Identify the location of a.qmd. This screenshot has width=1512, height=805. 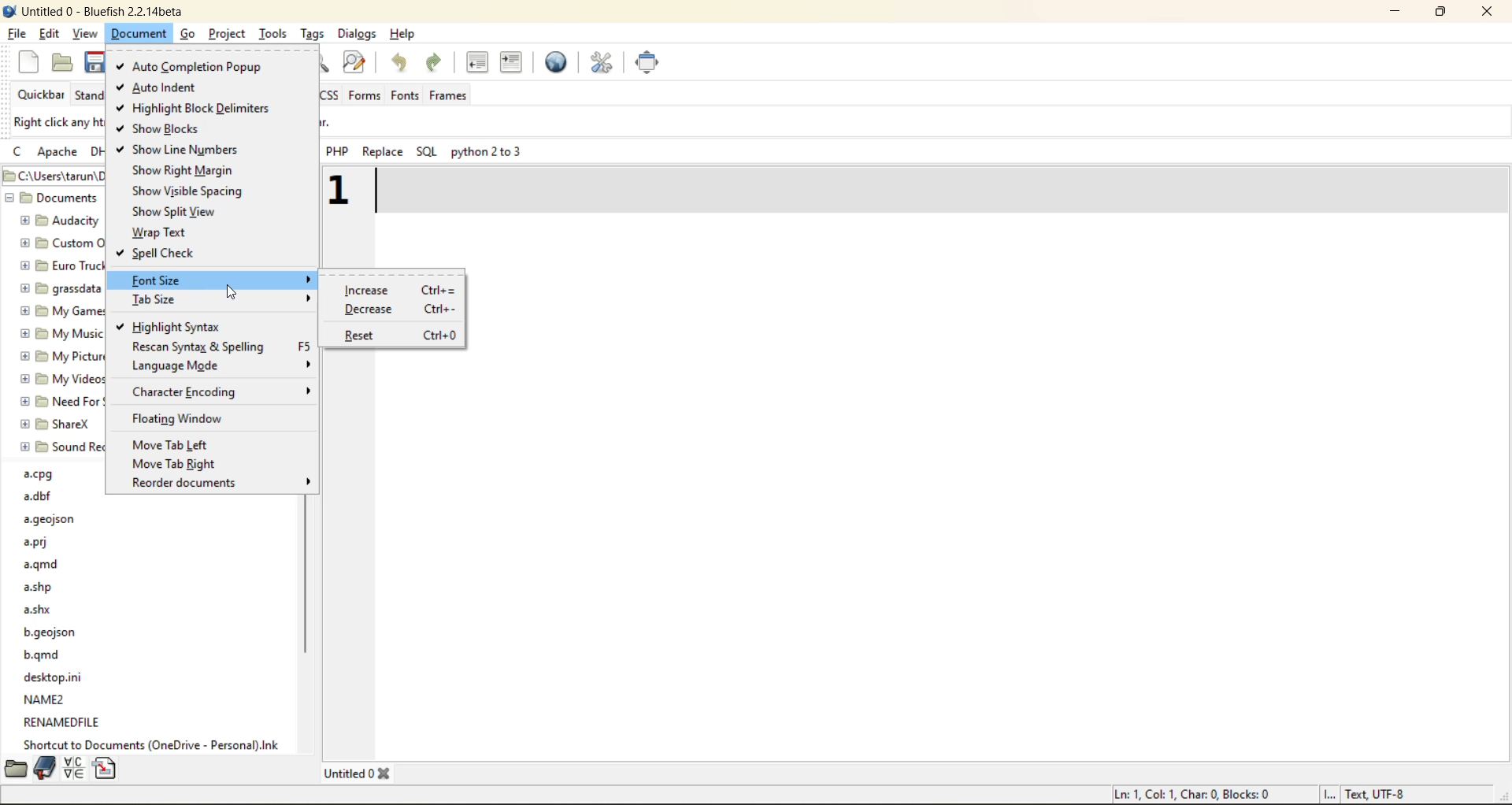
(45, 566).